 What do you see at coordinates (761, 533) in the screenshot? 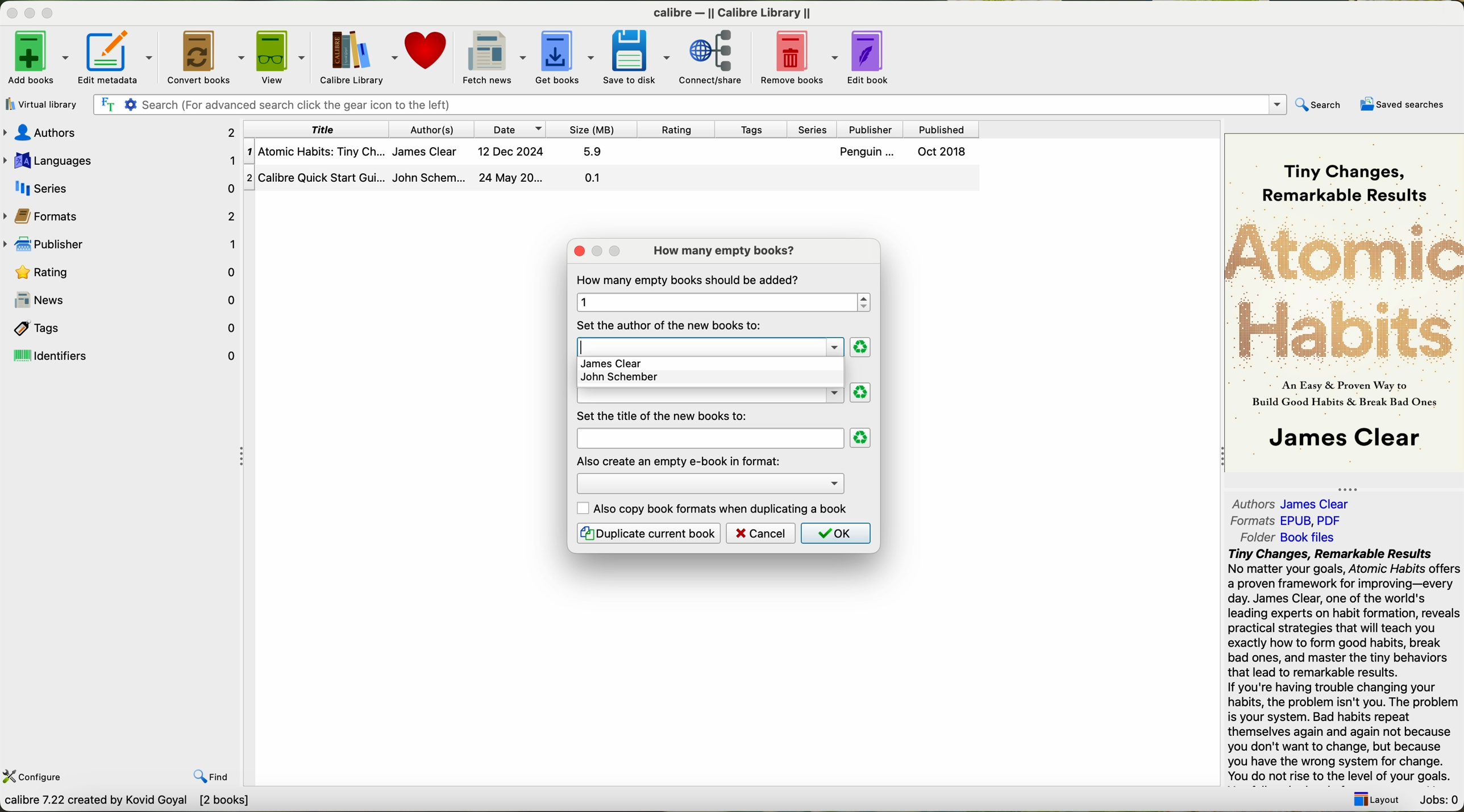
I see `cancel button` at bounding box center [761, 533].